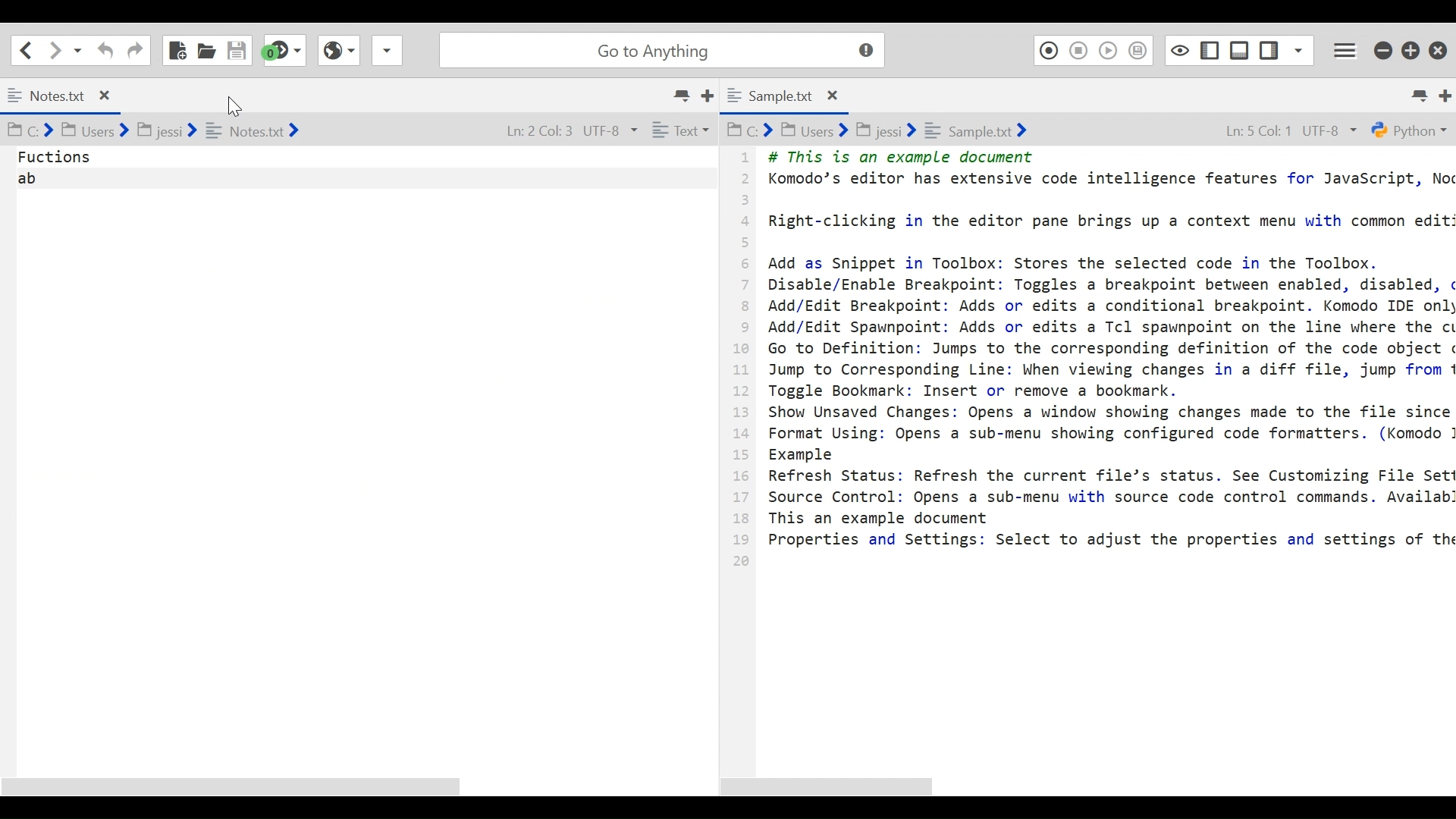 This screenshot has height=819, width=1456. Describe the element at coordinates (1078, 50) in the screenshot. I see `Stop Recording Macro` at that location.